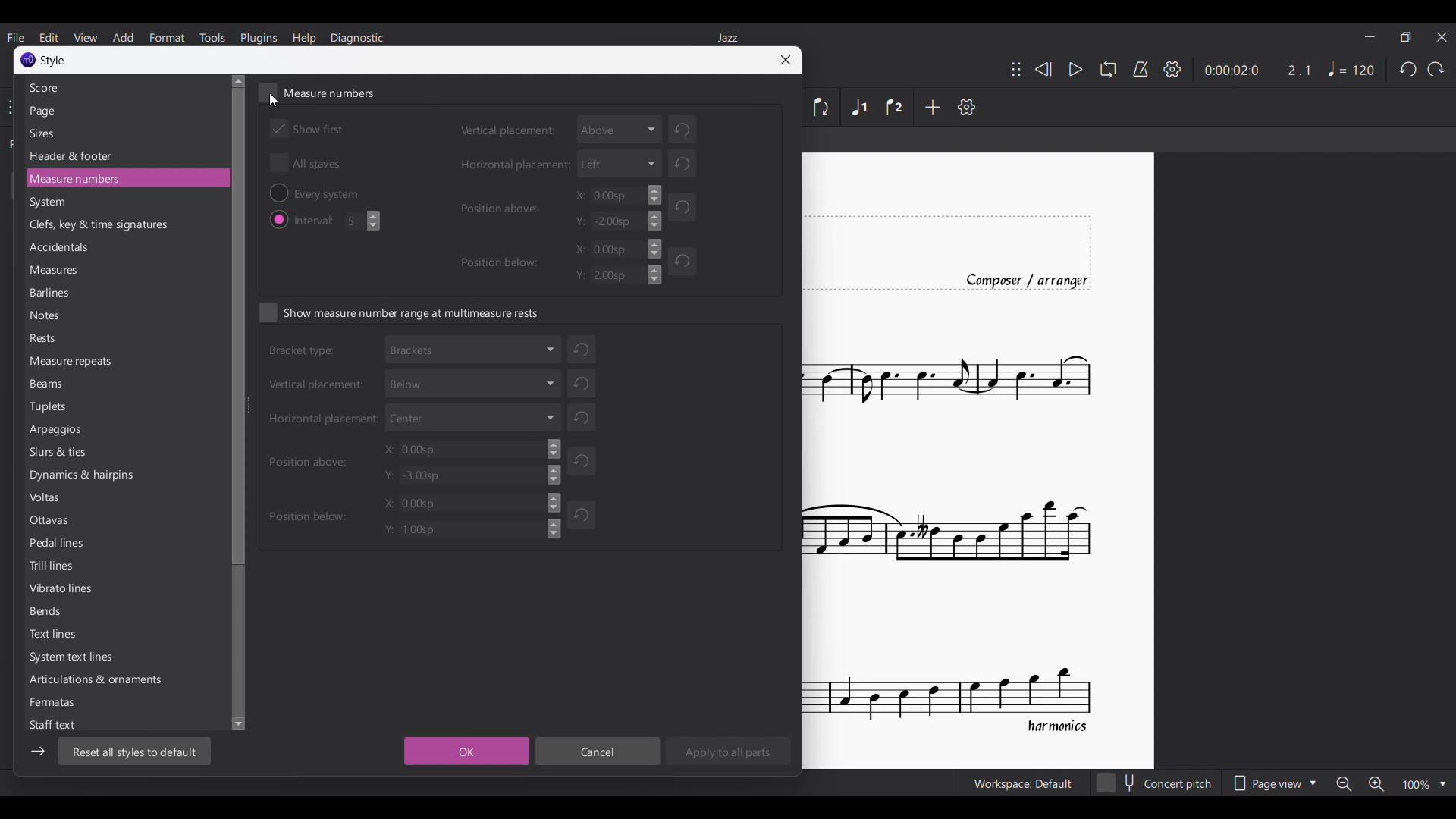  What do you see at coordinates (49, 318) in the screenshot?
I see `Notes` at bounding box center [49, 318].